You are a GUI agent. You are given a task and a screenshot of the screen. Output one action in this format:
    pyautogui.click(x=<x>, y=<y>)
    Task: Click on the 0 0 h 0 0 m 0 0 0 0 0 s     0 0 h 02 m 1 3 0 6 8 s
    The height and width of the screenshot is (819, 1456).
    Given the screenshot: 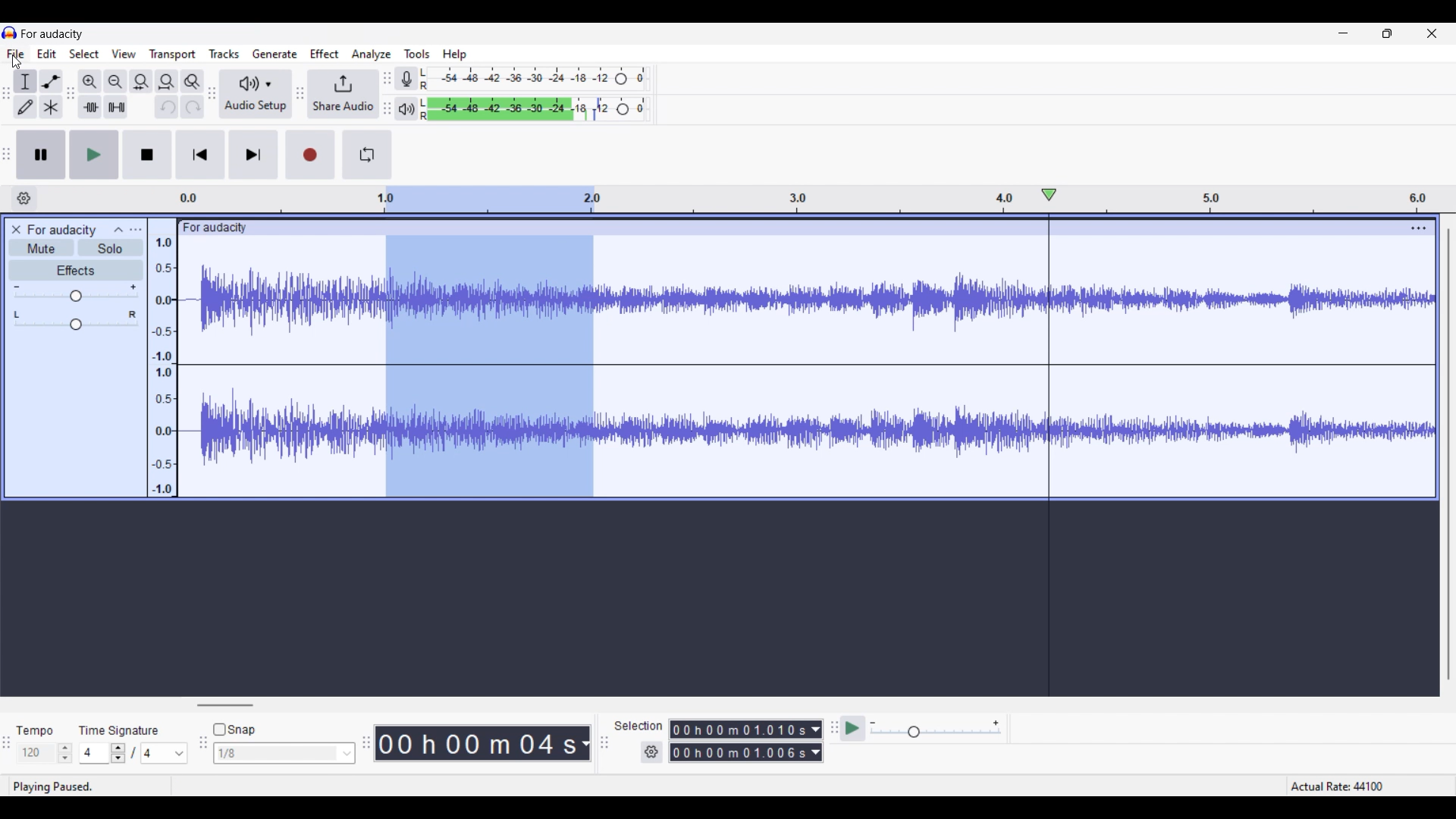 What is the action you would take?
    pyautogui.click(x=739, y=741)
    